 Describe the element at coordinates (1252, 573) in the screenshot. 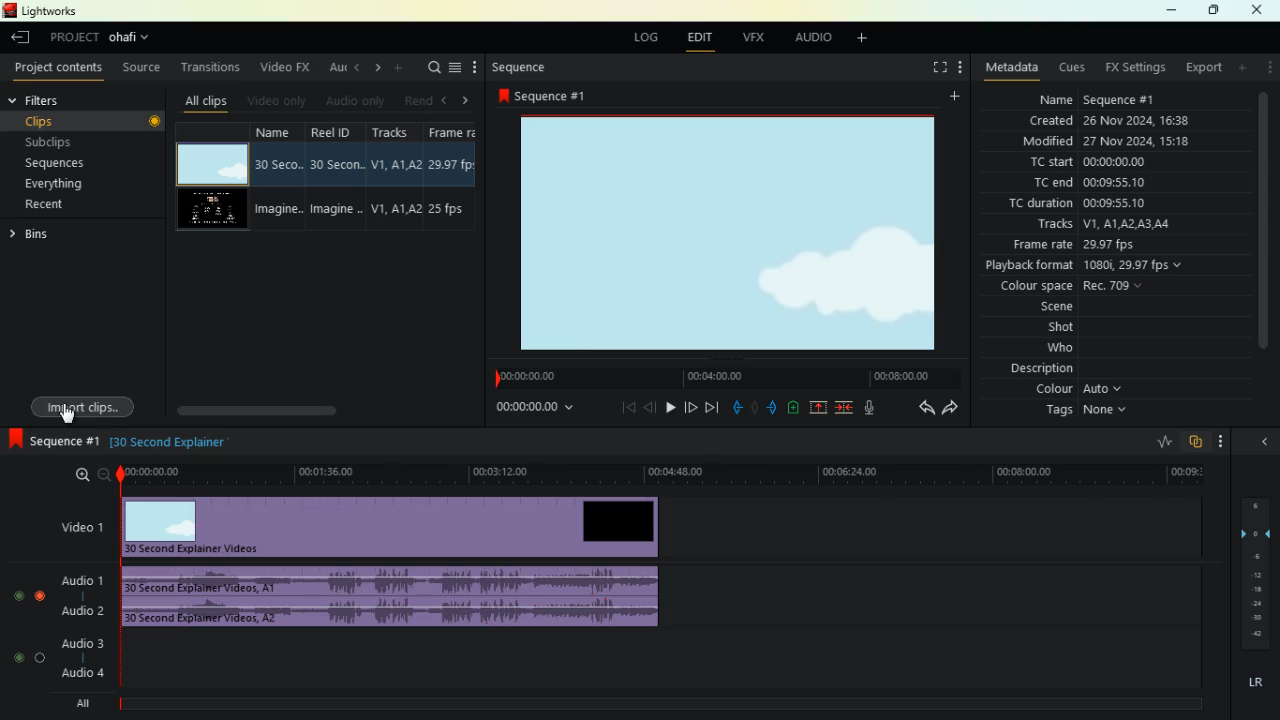

I see `layers` at that location.